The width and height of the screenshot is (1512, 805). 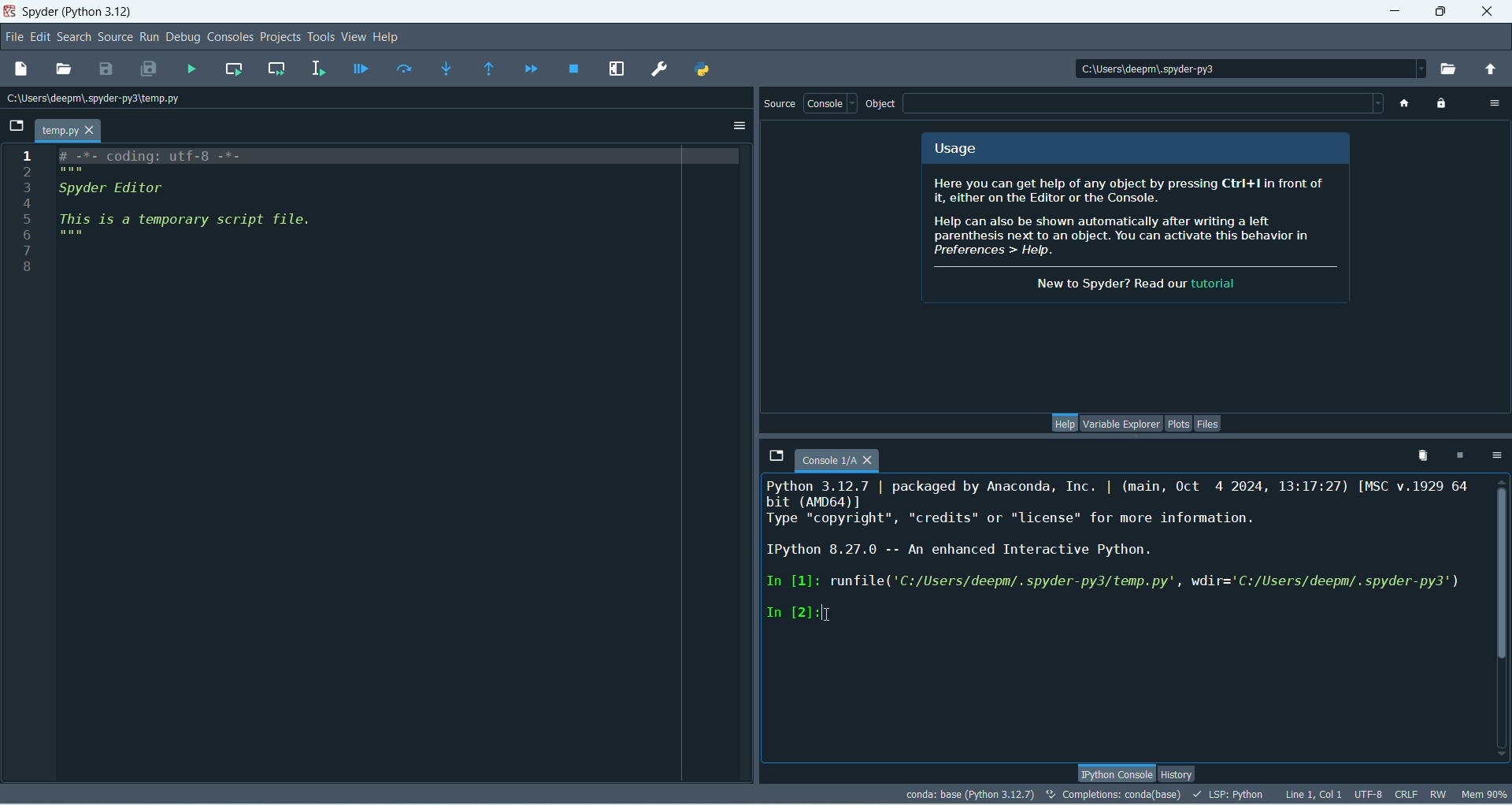 What do you see at coordinates (1499, 618) in the screenshot?
I see `vertical scroll bar` at bounding box center [1499, 618].